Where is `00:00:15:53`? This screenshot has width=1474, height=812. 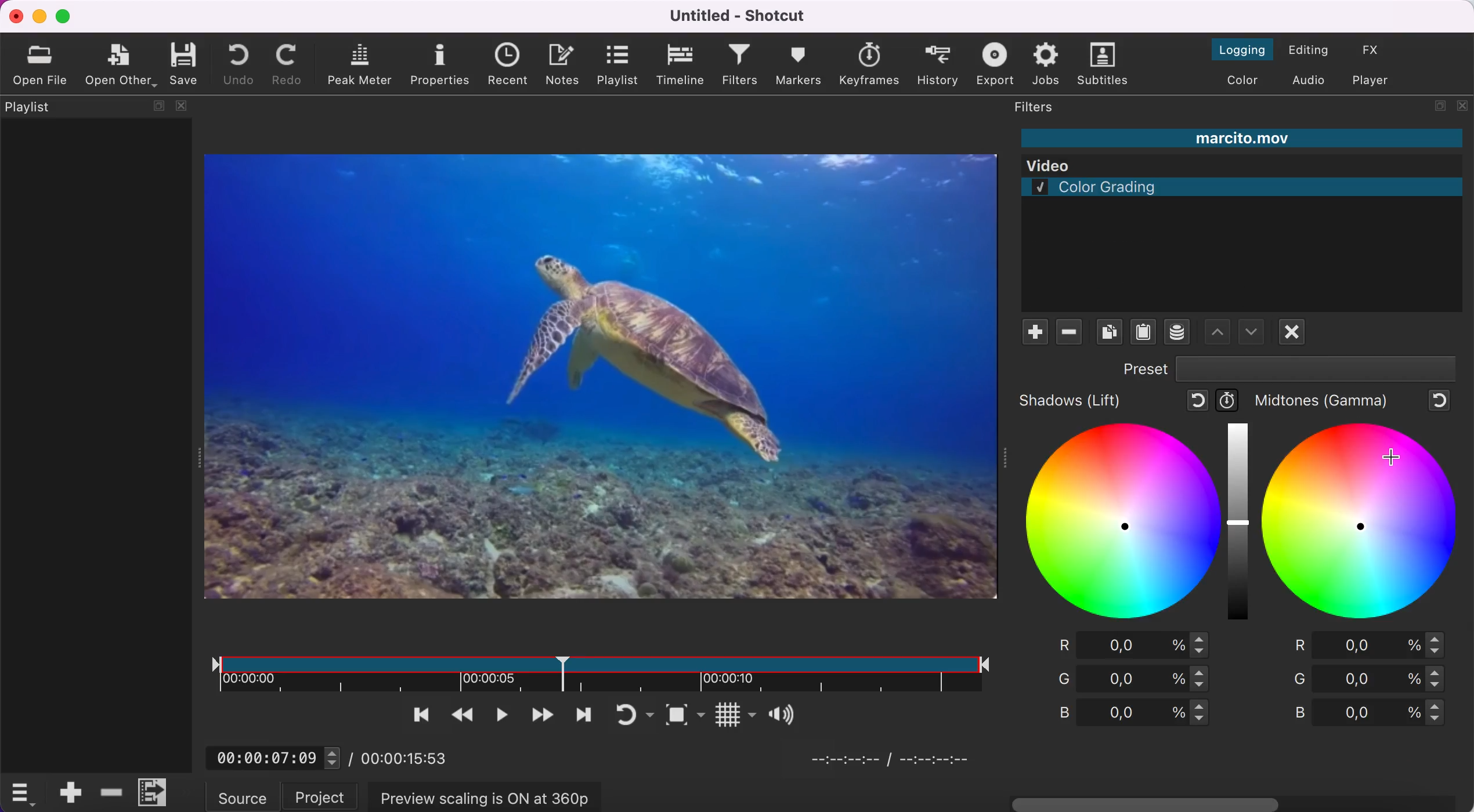
00:00:15:53 is located at coordinates (410, 756).